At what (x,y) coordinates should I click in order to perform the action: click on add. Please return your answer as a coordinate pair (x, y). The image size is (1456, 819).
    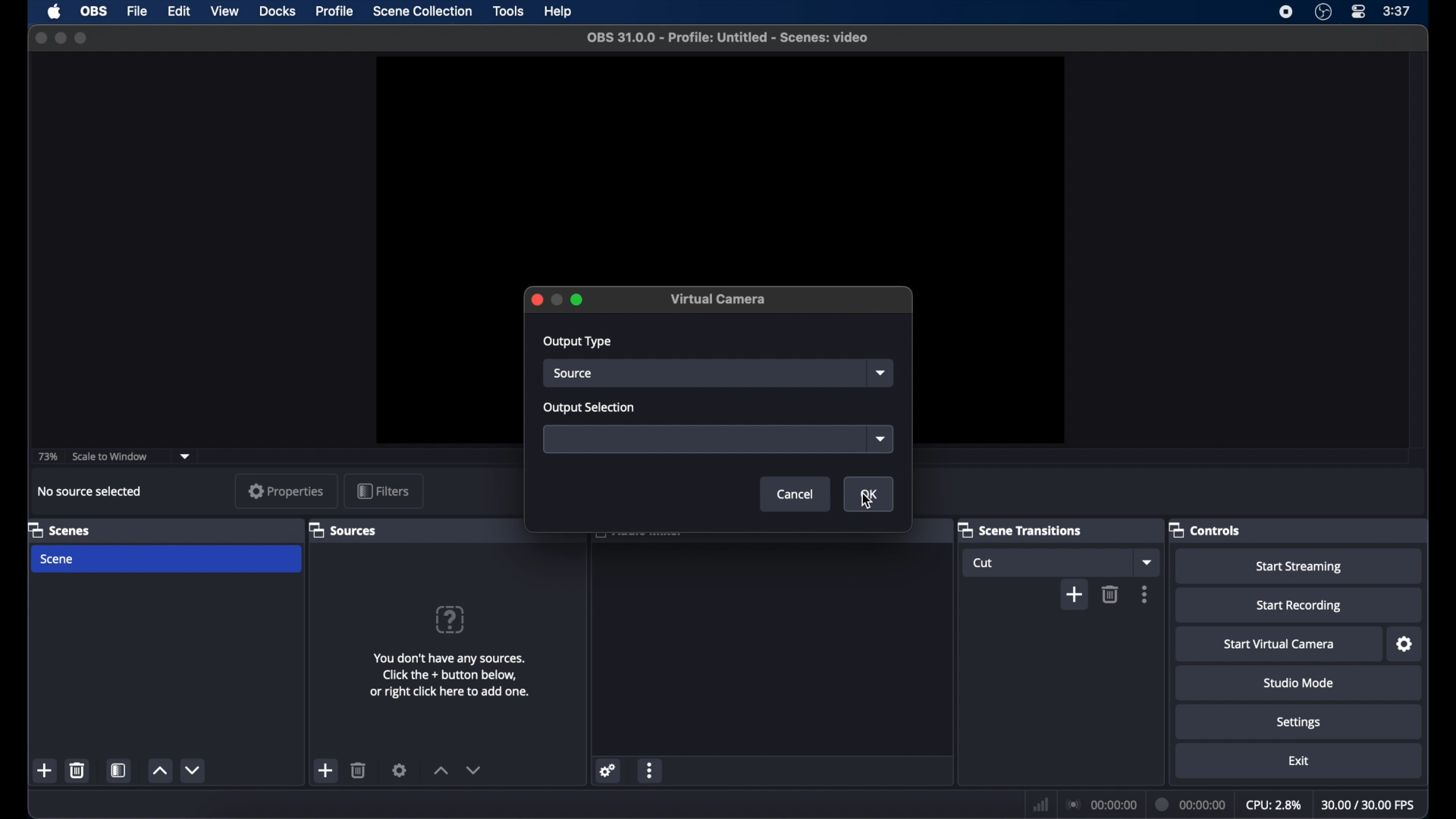
    Looking at the image, I should click on (45, 771).